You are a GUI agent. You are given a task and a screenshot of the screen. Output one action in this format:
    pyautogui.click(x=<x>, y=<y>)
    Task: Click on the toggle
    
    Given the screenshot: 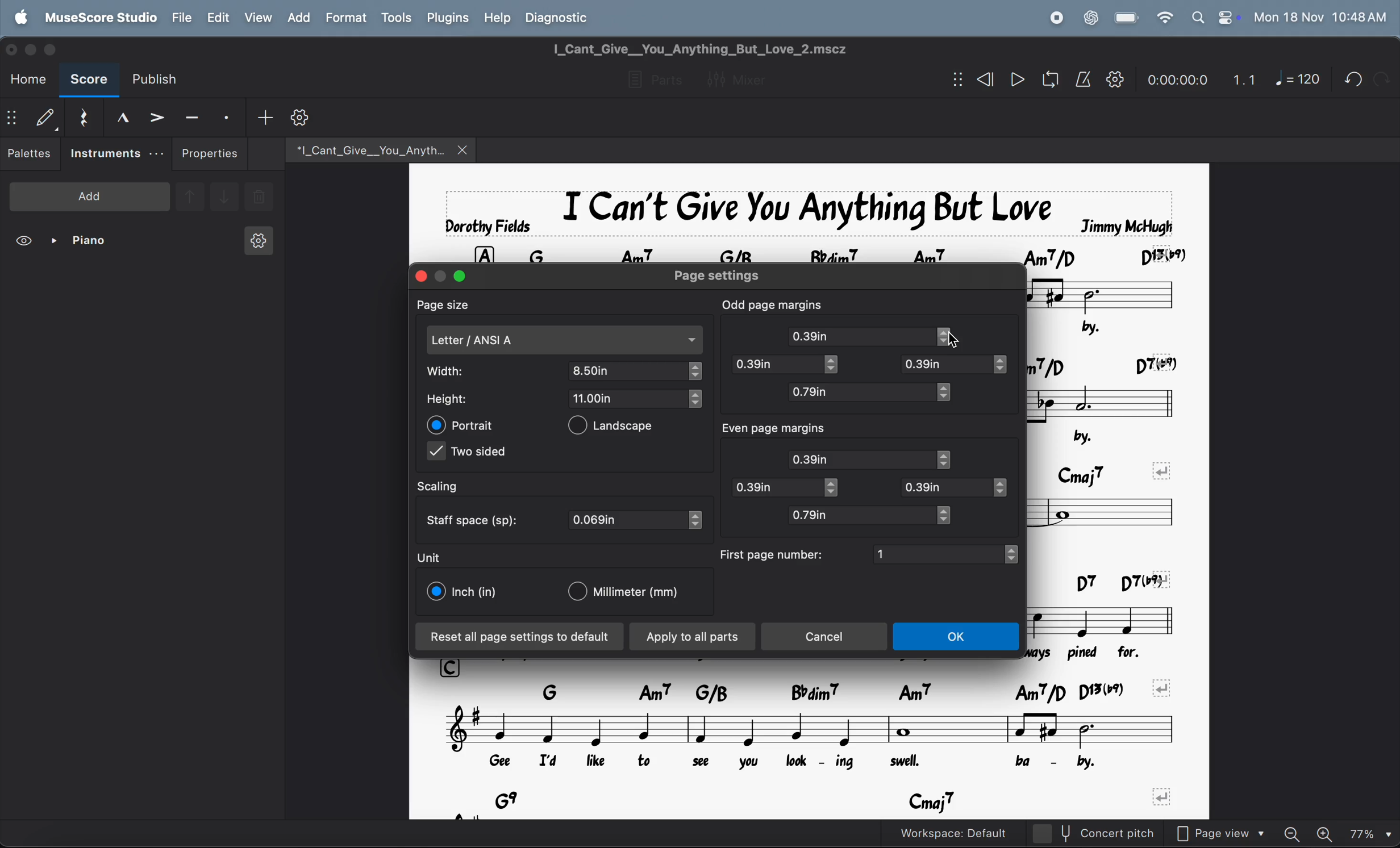 What is the action you would take?
    pyautogui.click(x=835, y=488)
    